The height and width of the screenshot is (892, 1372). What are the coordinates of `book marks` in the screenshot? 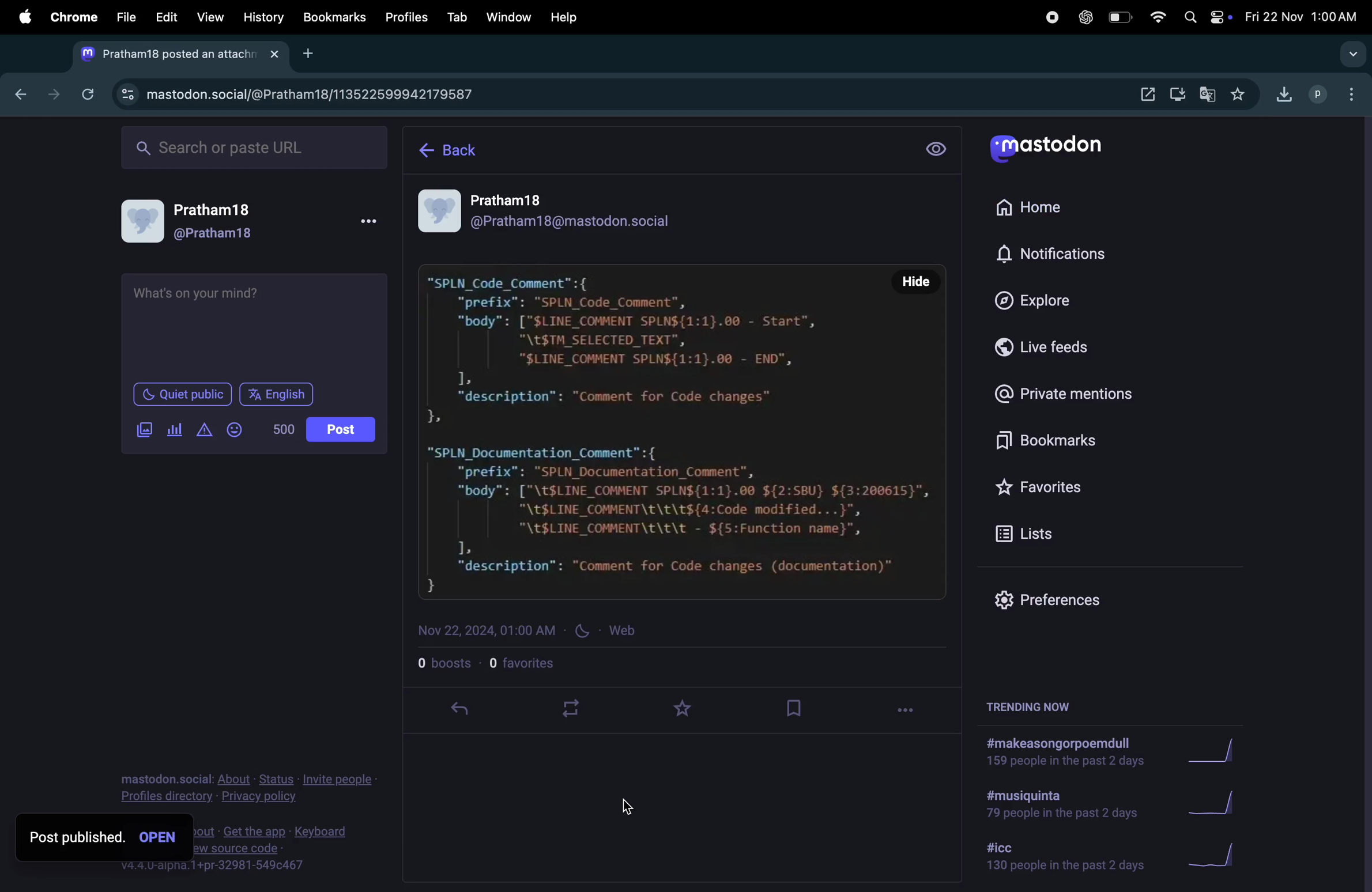 It's located at (335, 18).